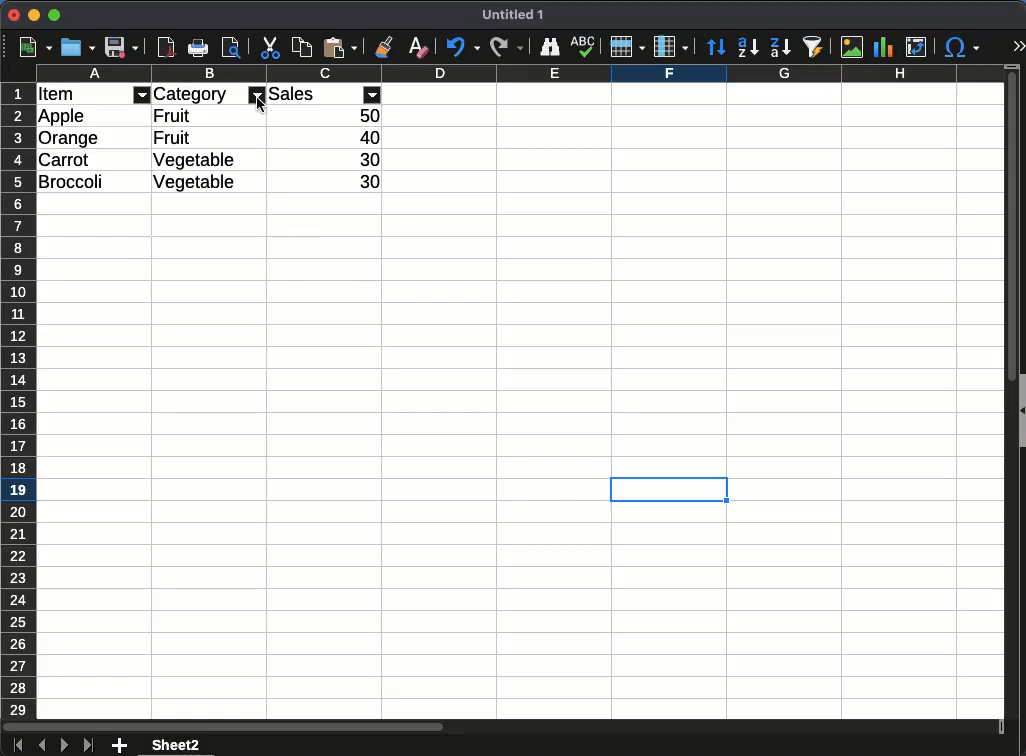  Describe the element at coordinates (201, 183) in the screenshot. I see `vegetable` at that location.